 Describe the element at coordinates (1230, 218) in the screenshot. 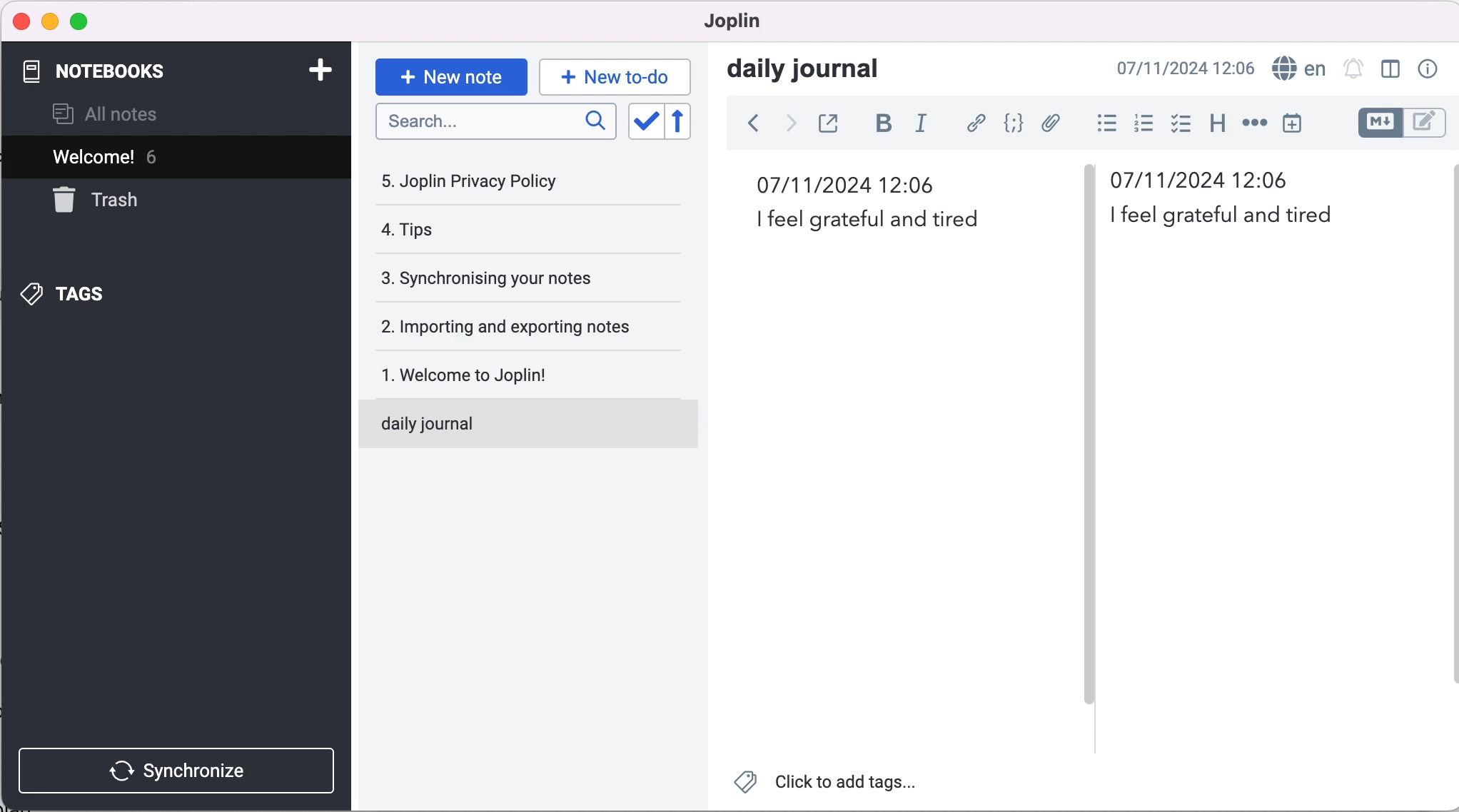

I see `daily journal first note` at that location.